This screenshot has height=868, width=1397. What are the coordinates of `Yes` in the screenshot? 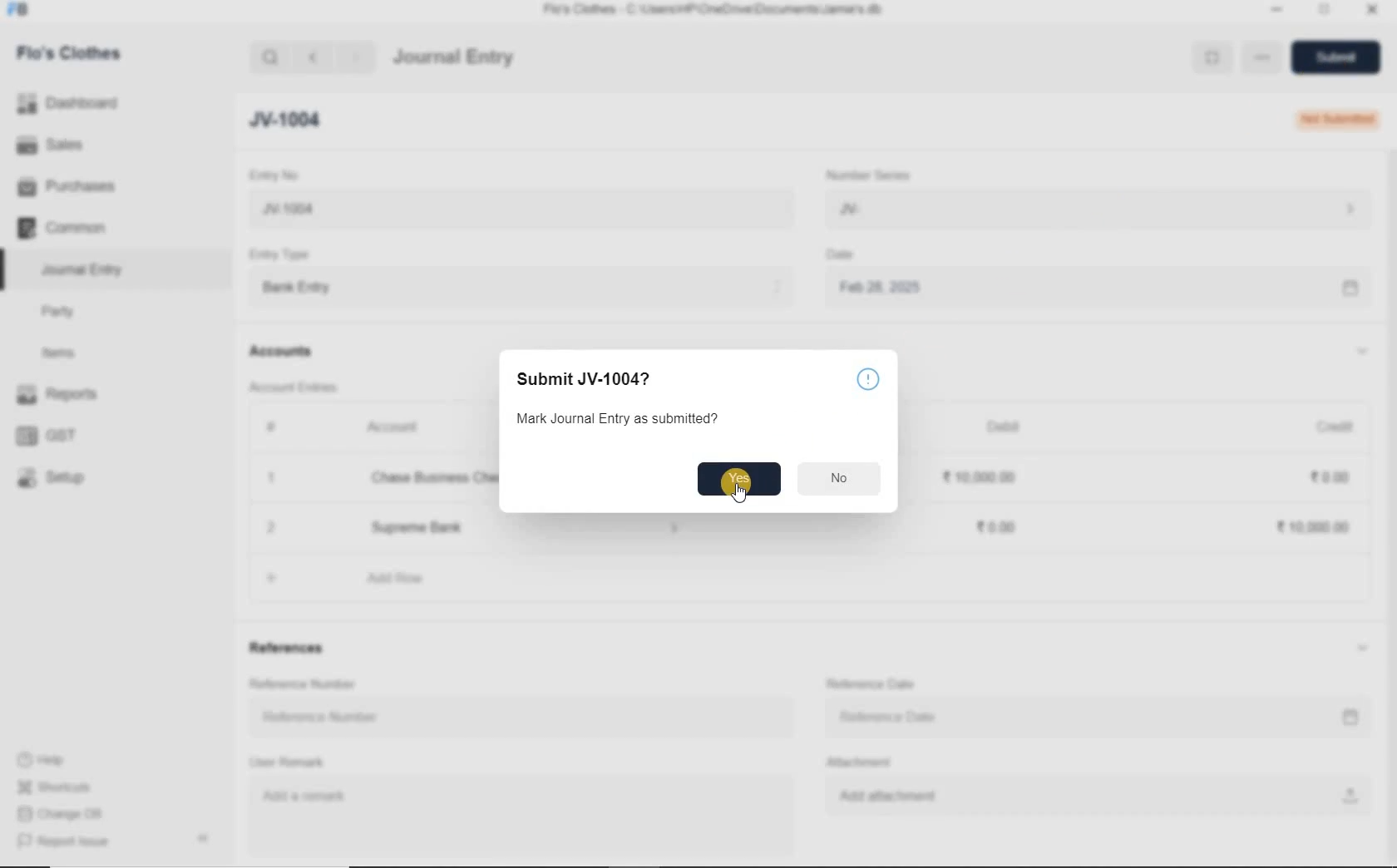 It's located at (739, 481).